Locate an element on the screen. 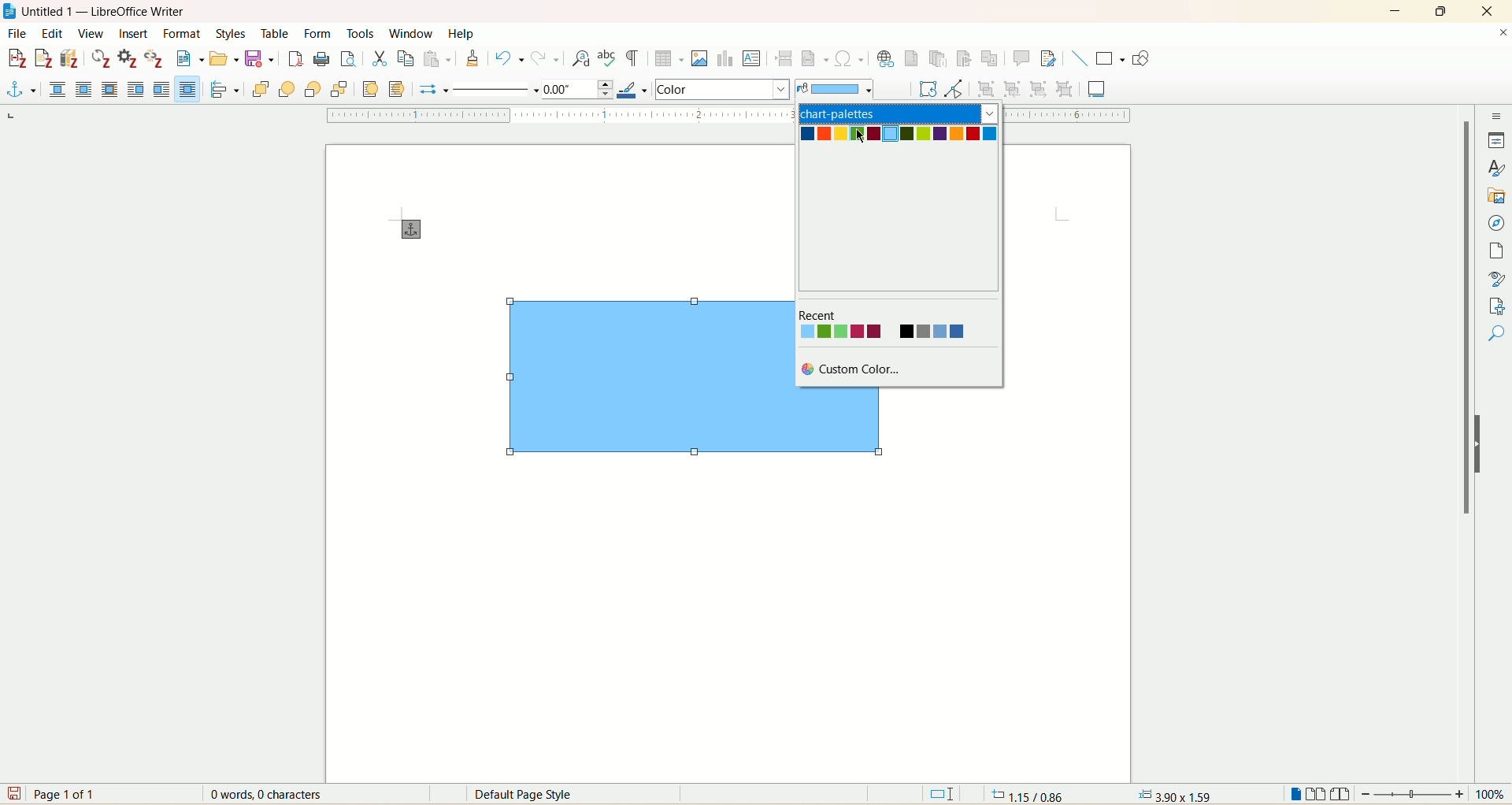 The height and width of the screenshot is (805, 1512). insert special character is located at coordinates (850, 58).